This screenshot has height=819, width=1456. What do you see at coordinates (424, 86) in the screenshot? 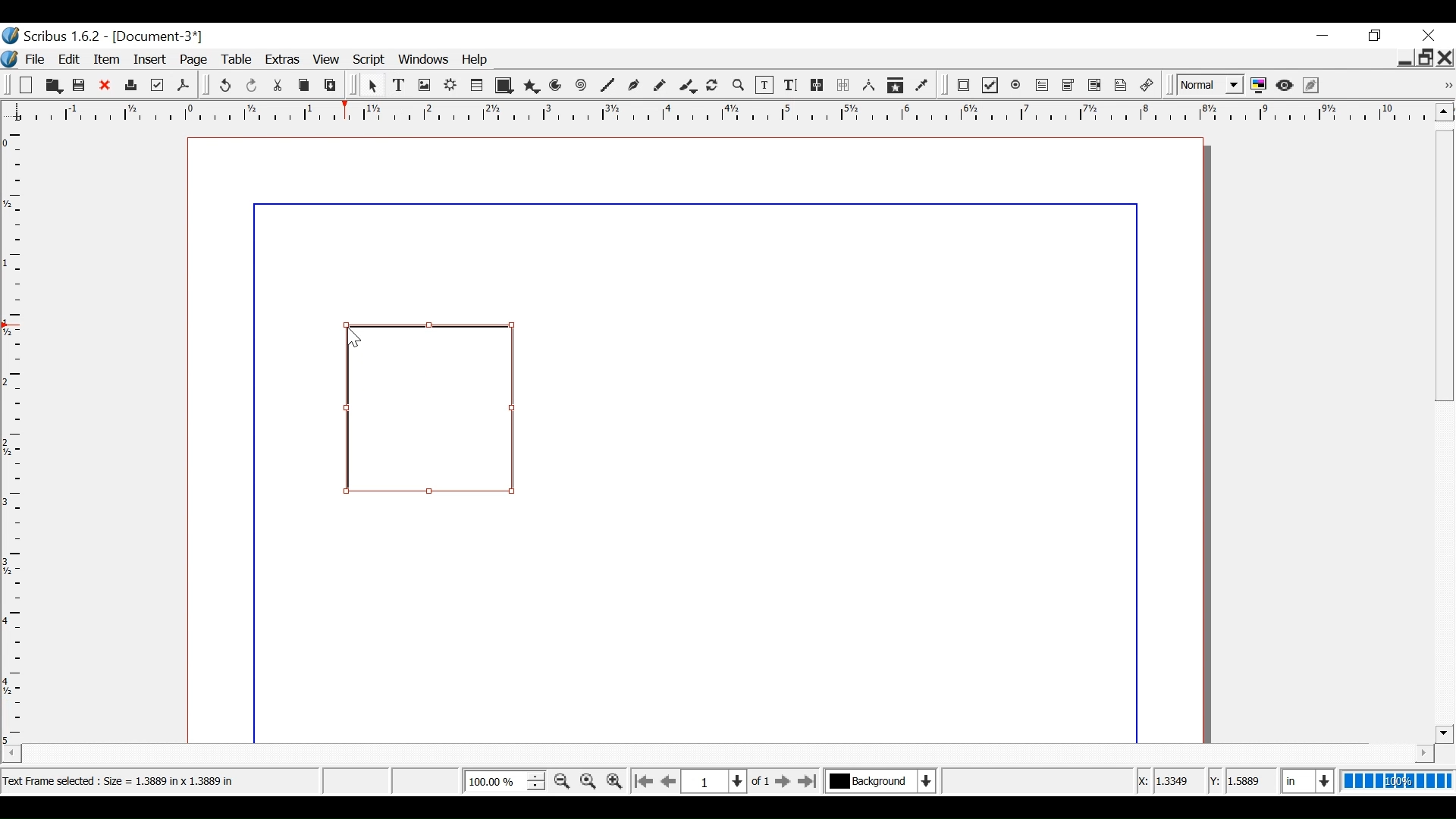
I see `Image frame` at bounding box center [424, 86].